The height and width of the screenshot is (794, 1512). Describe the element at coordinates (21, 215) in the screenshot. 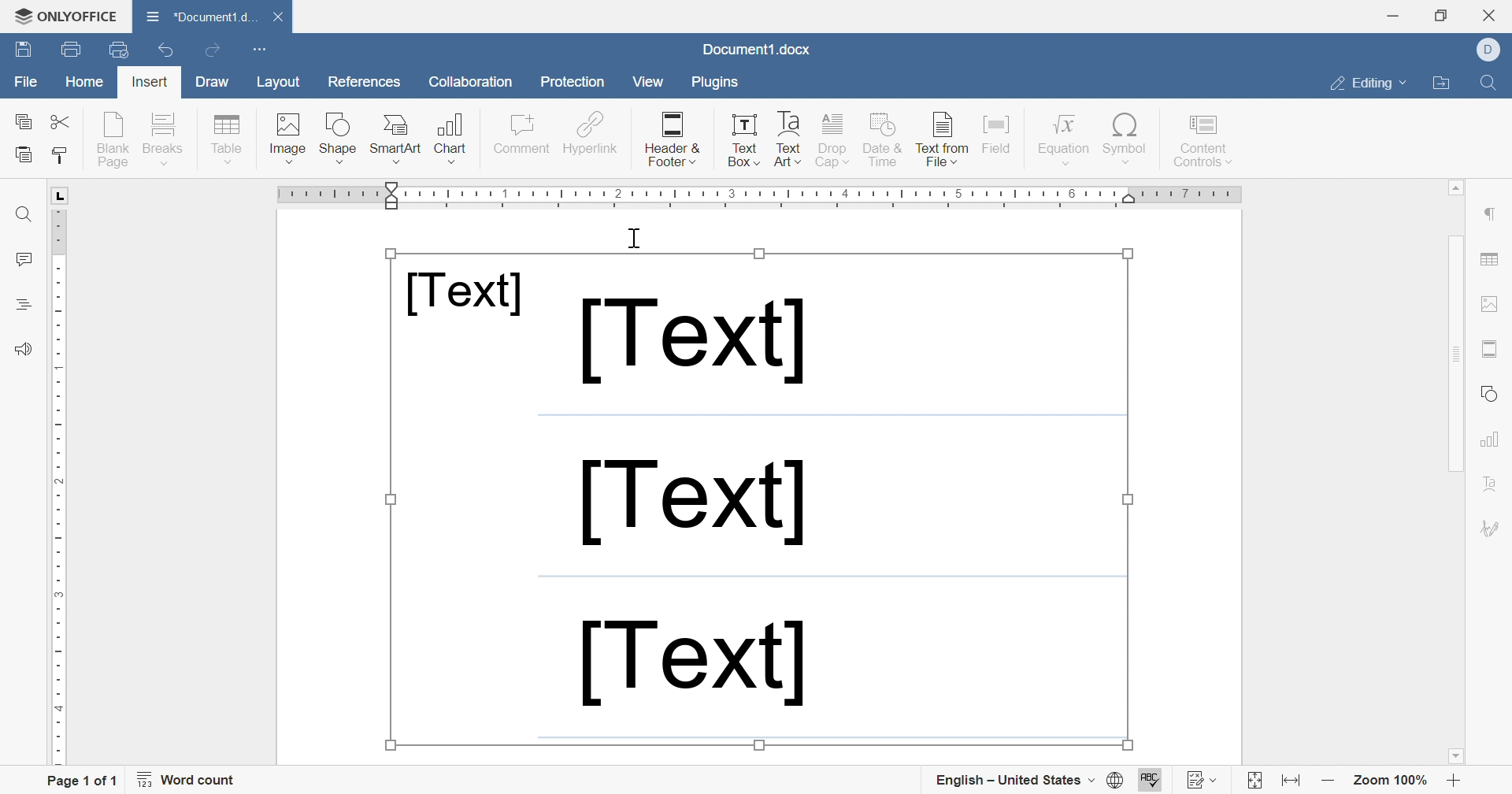

I see `Find` at that location.